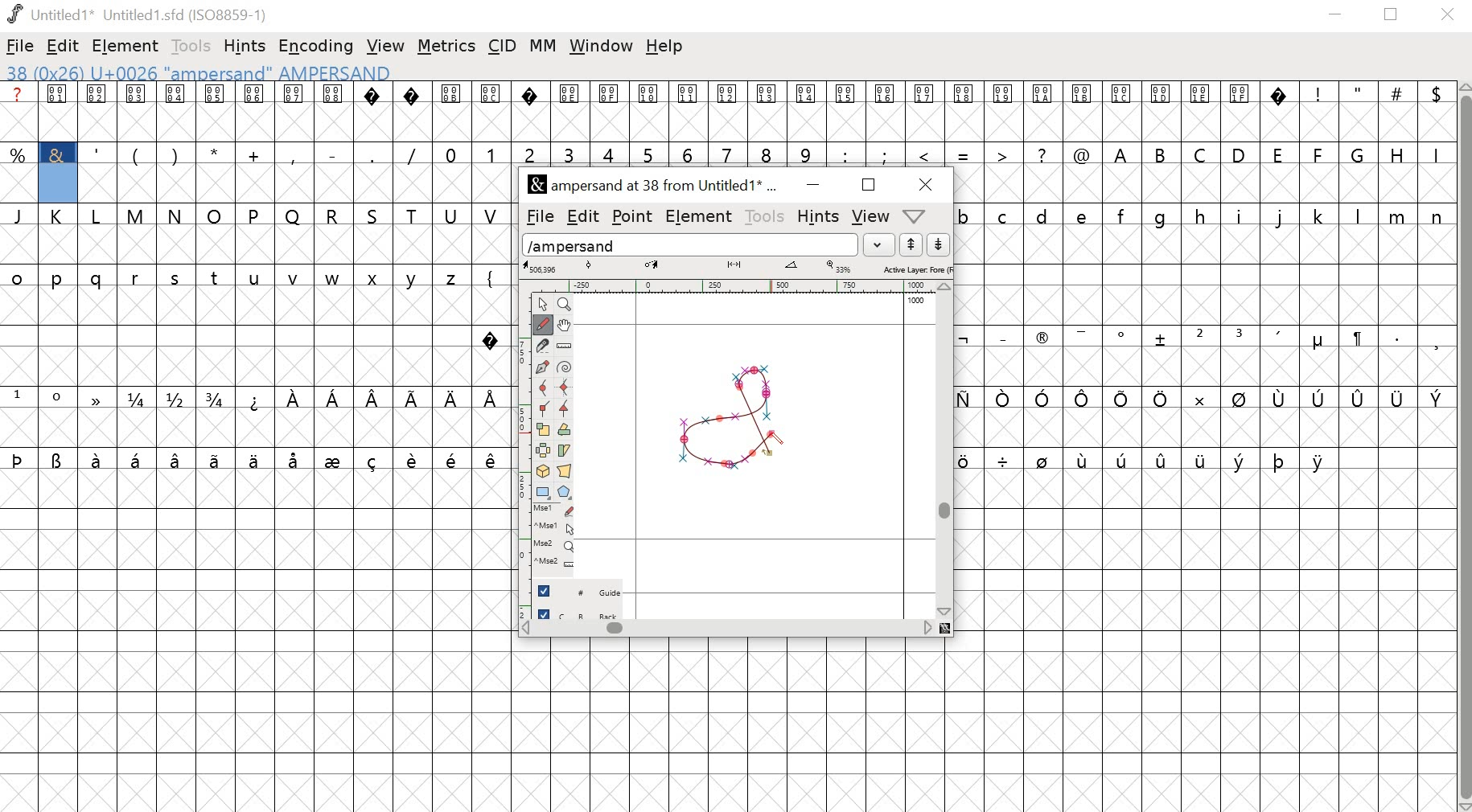  Describe the element at coordinates (700, 217) in the screenshot. I see `element` at that location.